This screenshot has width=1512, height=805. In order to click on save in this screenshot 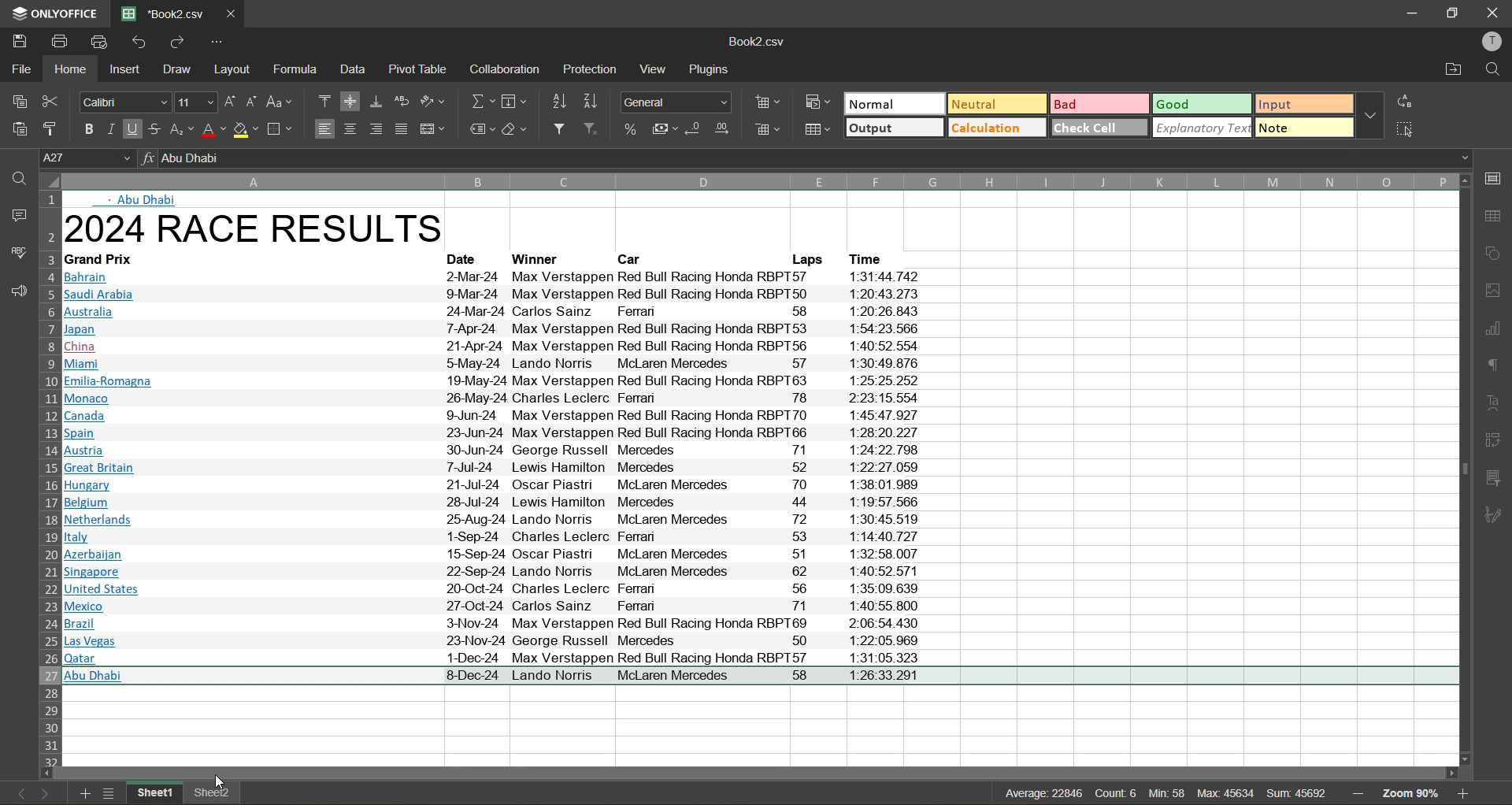, I will do `click(20, 40)`.